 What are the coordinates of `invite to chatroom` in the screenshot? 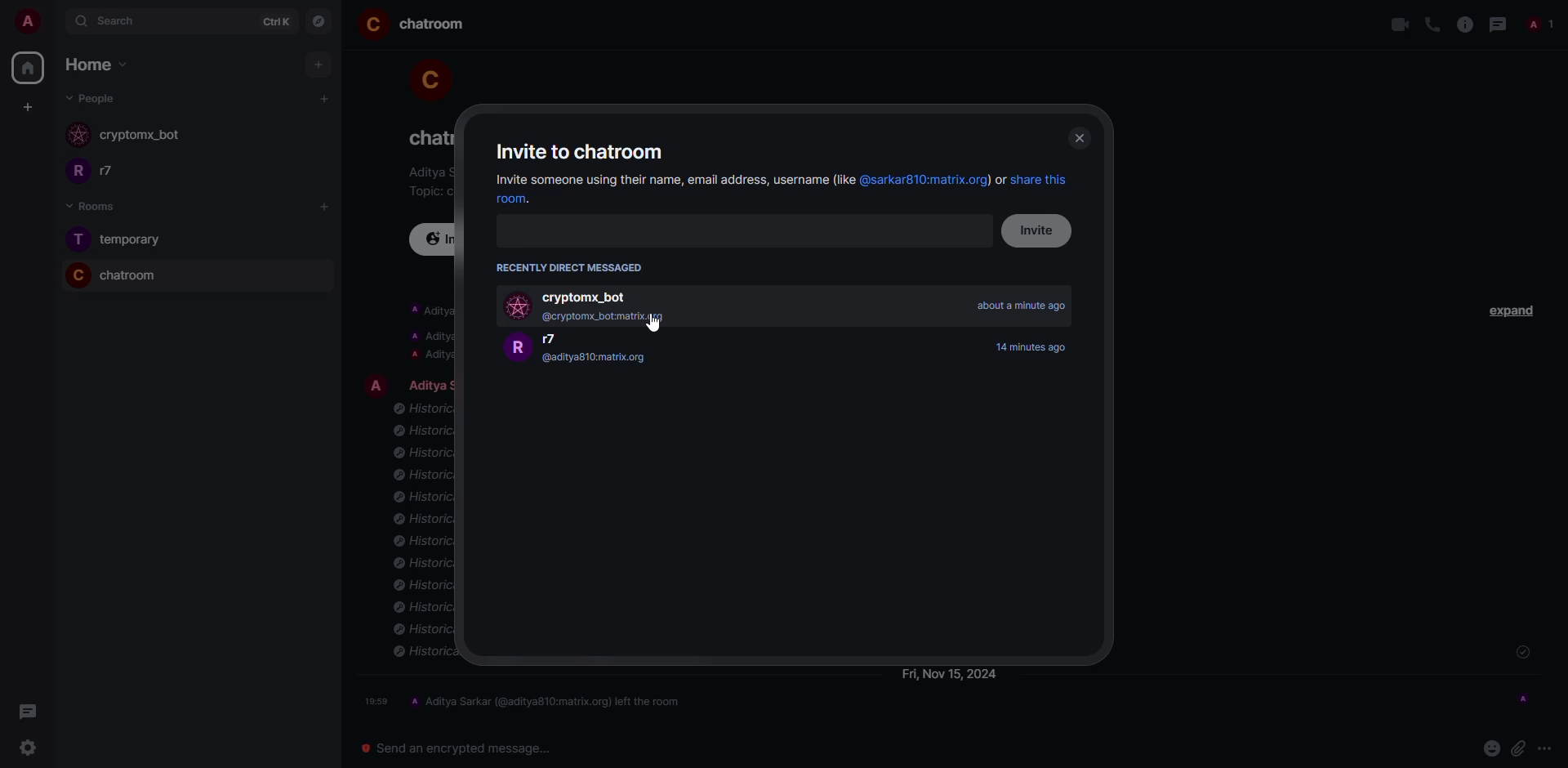 It's located at (583, 150).